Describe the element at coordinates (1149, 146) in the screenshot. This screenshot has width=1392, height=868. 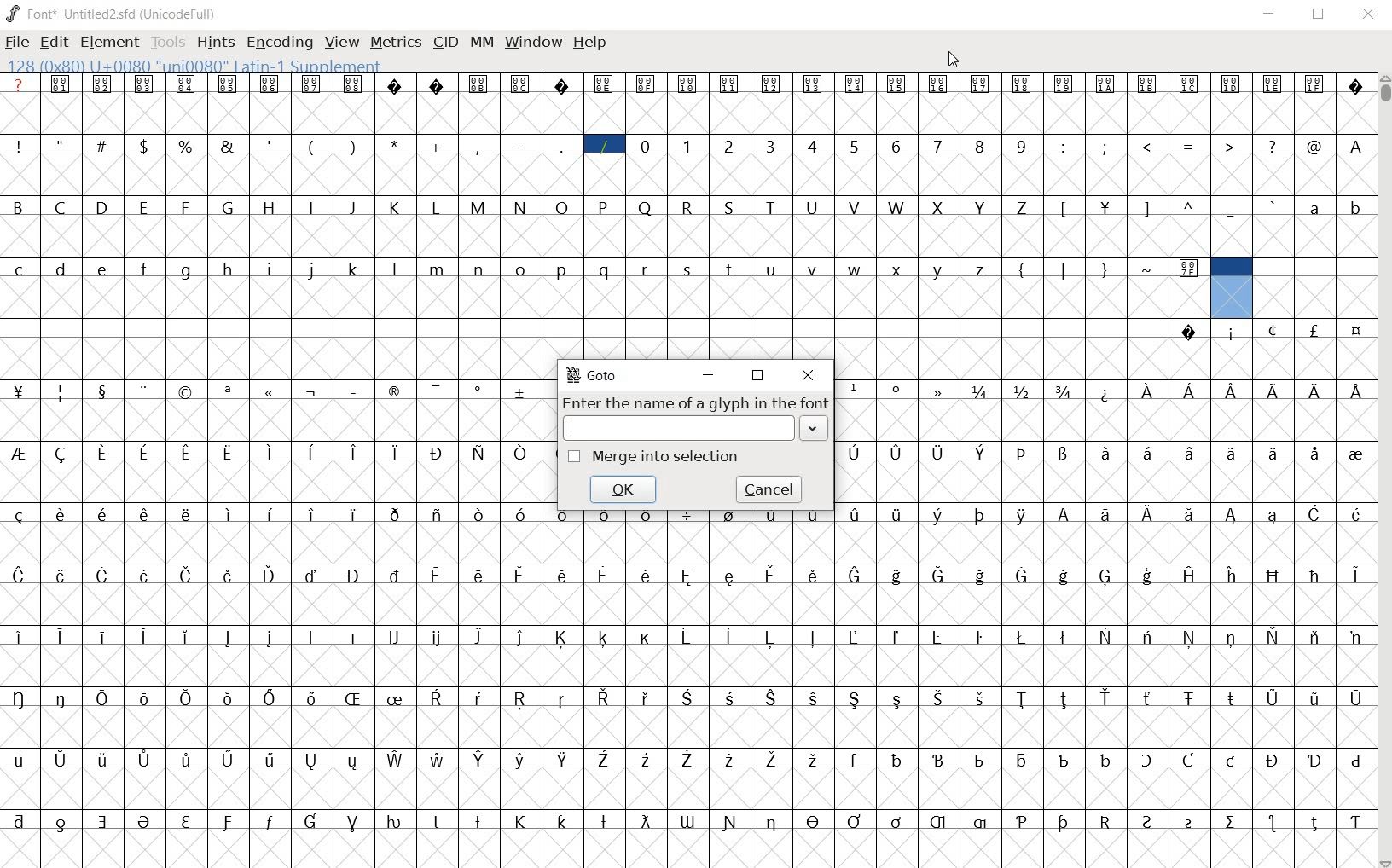
I see `<` at that location.